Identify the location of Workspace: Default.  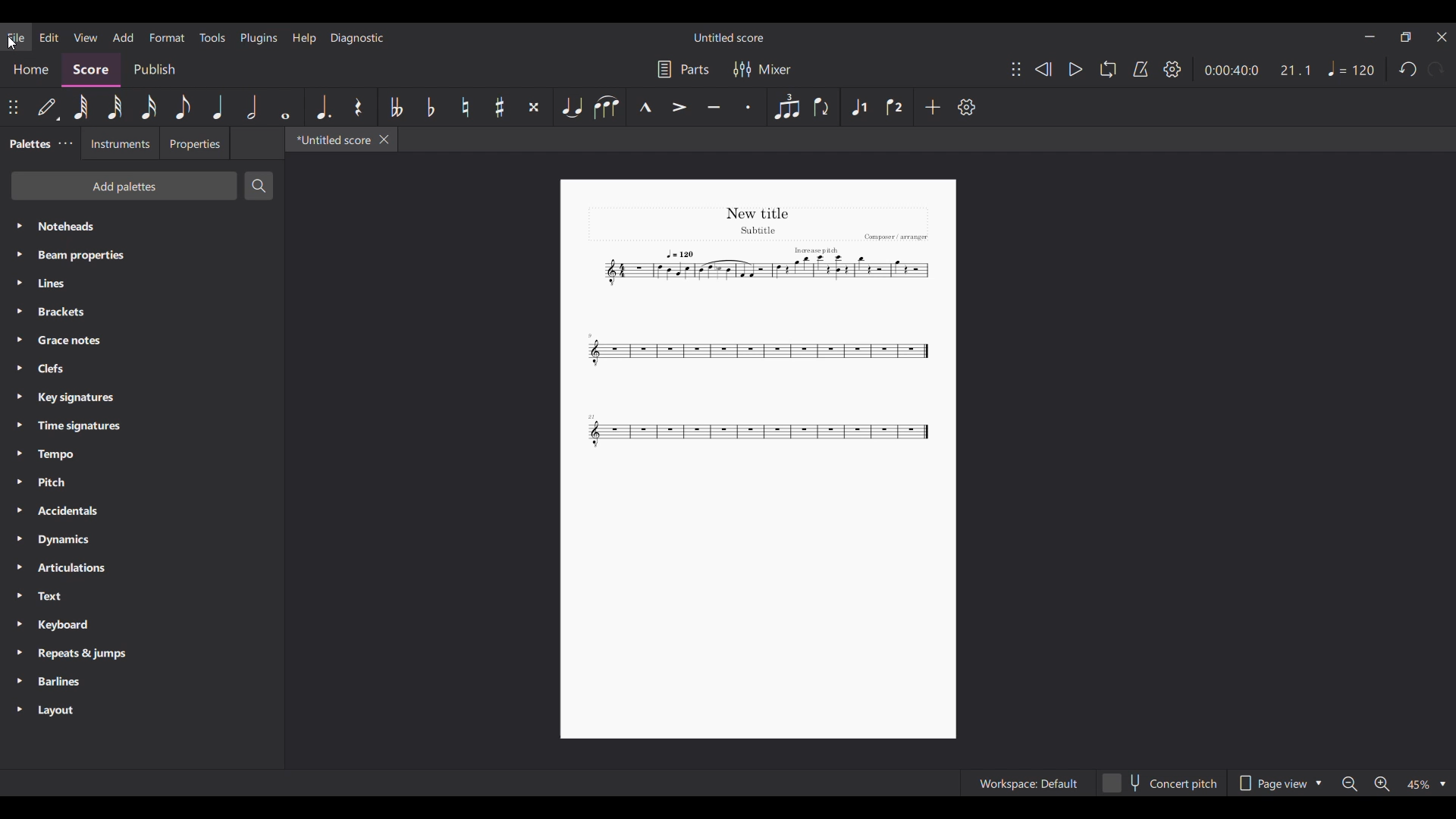
(1027, 783).